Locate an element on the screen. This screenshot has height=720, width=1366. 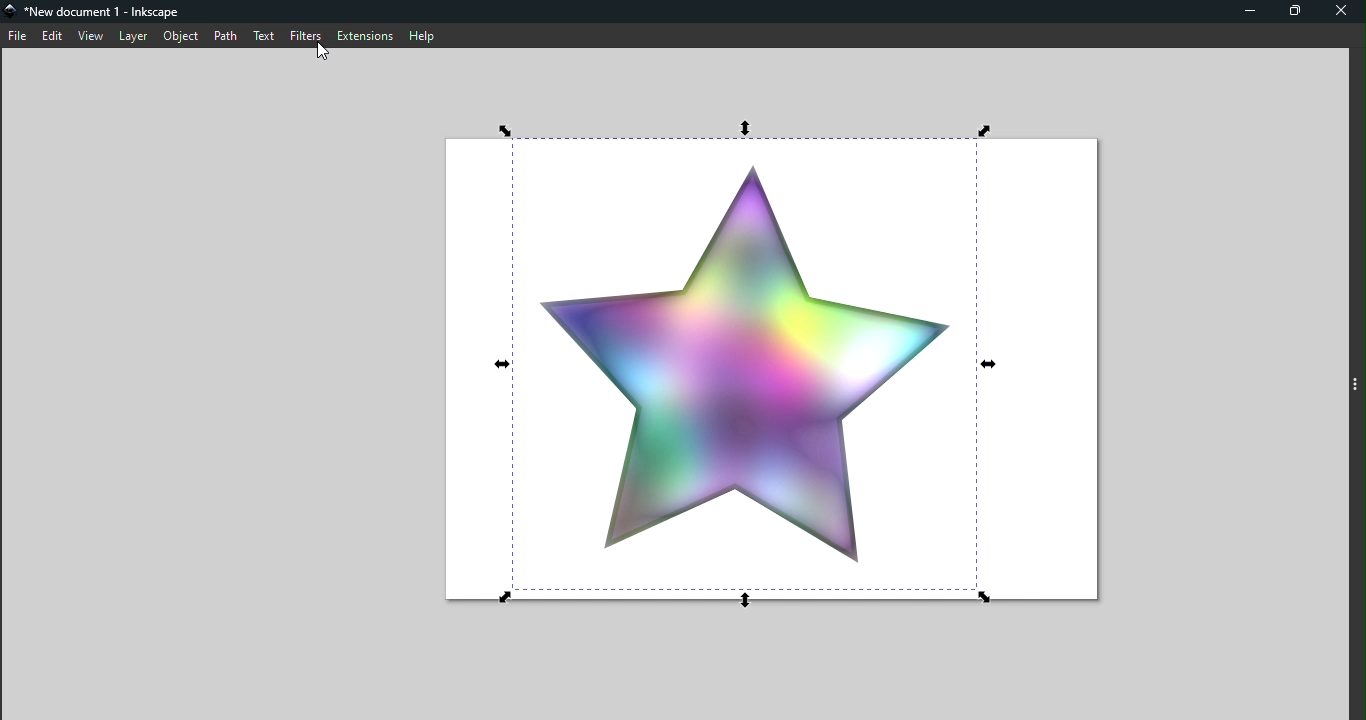
Layer is located at coordinates (134, 36).